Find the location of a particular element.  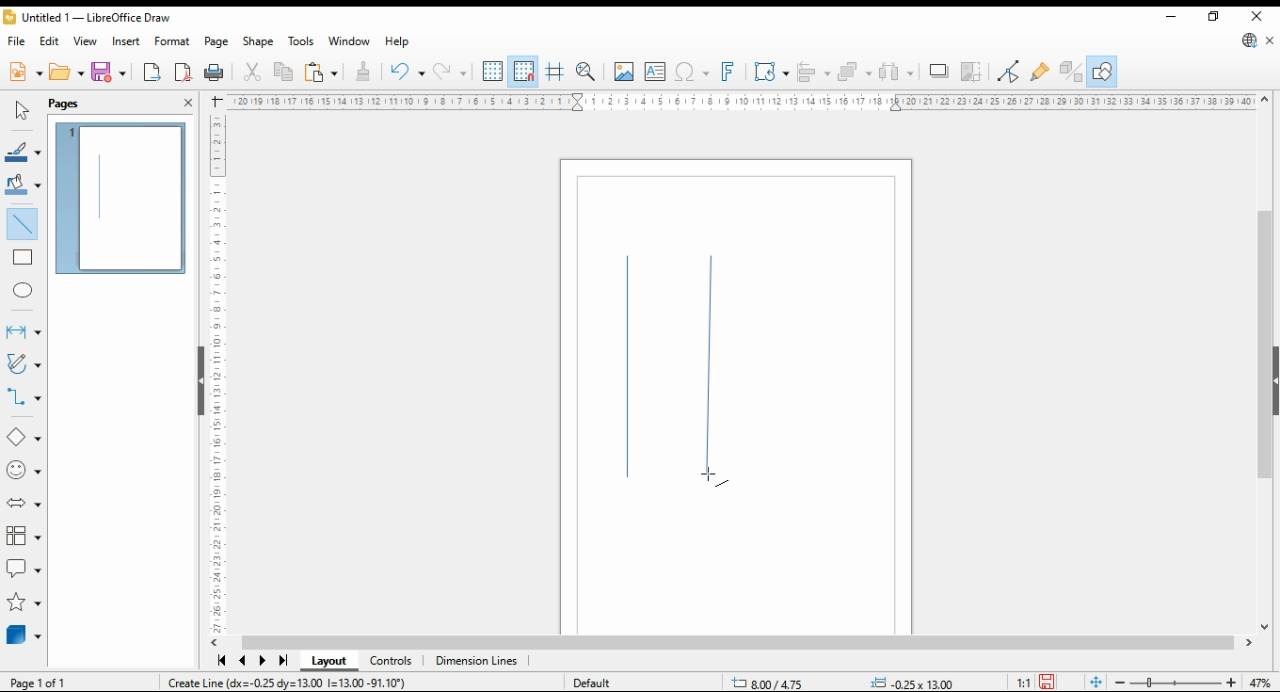

undo is located at coordinates (452, 72).